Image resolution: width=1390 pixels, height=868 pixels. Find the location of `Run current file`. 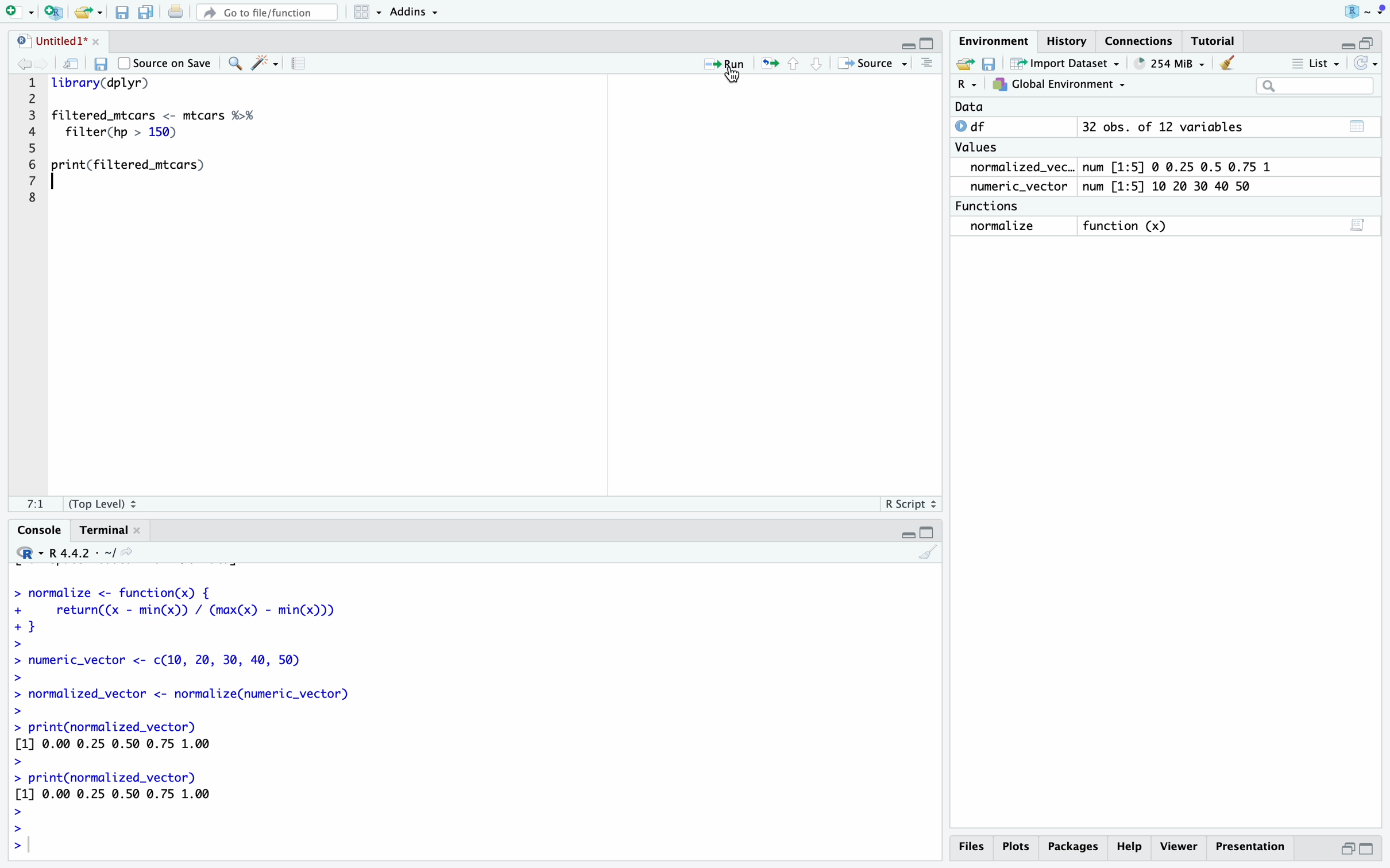

Run current file is located at coordinates (724, 65).